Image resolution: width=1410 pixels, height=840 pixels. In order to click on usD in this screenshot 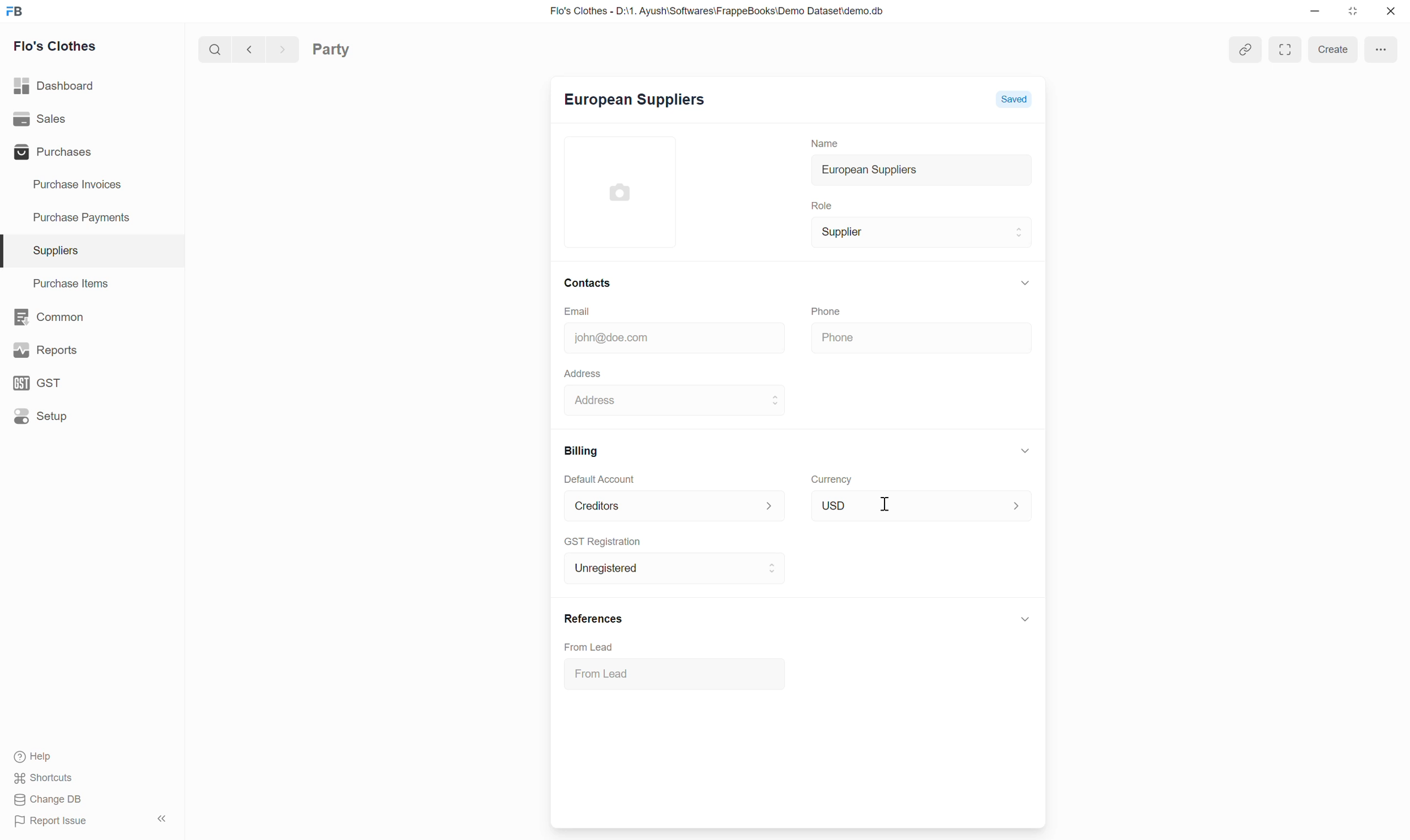, I will do `click(834, 503)`.